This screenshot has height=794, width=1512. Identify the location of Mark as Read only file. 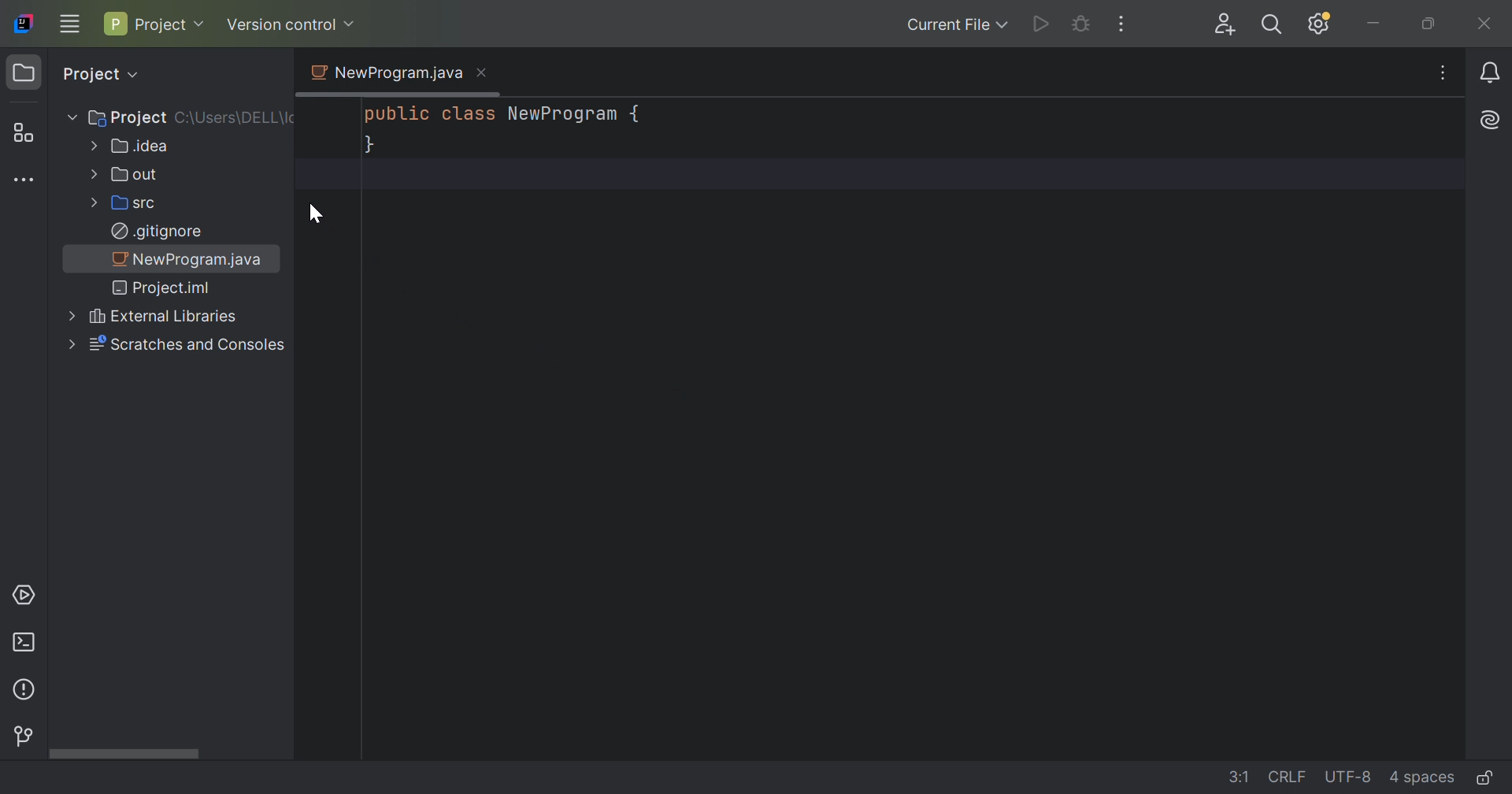
(1486, 775).